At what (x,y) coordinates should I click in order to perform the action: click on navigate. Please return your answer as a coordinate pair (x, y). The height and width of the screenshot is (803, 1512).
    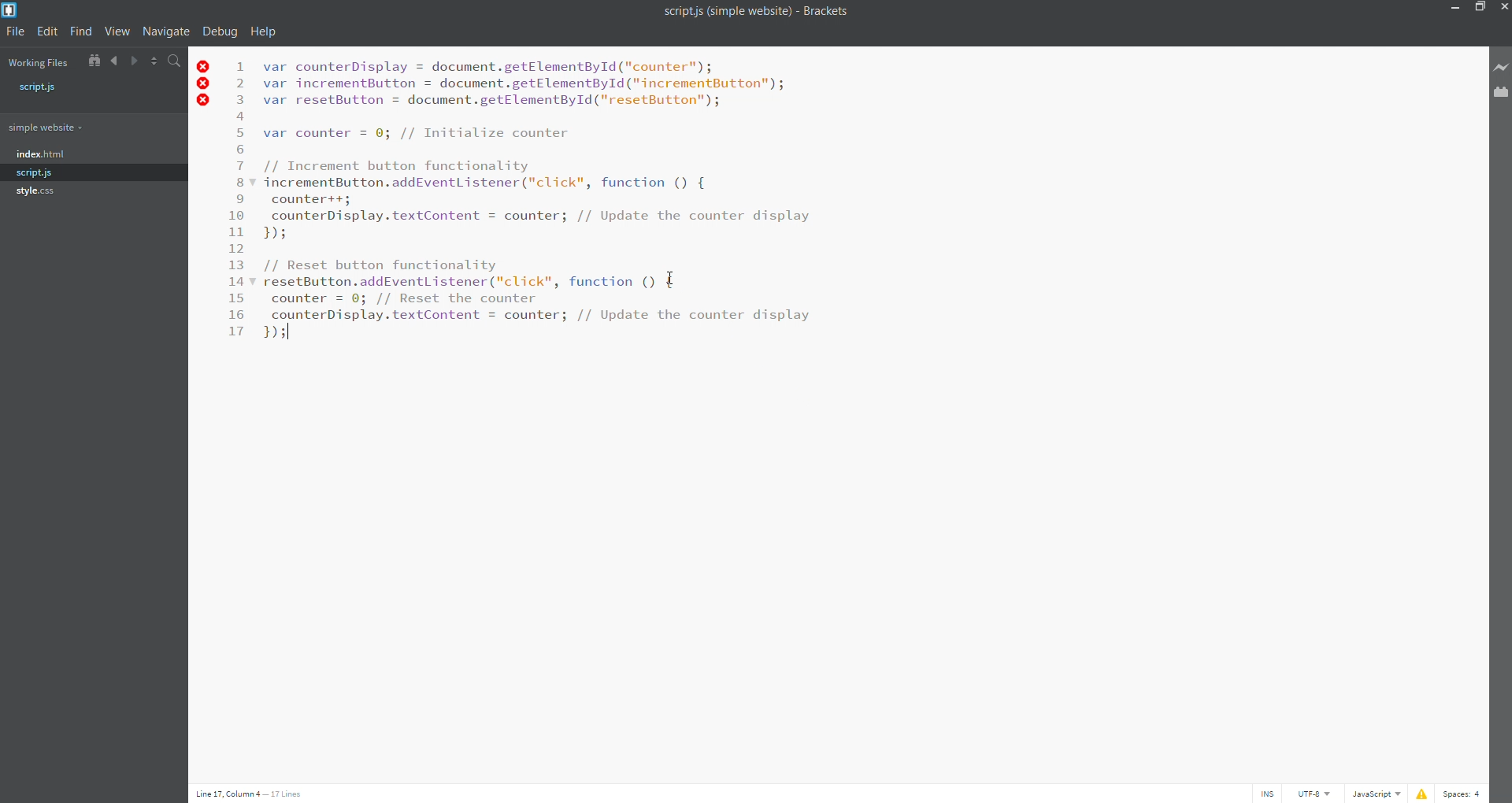
    Looking at the image, I should click on (165, 31).